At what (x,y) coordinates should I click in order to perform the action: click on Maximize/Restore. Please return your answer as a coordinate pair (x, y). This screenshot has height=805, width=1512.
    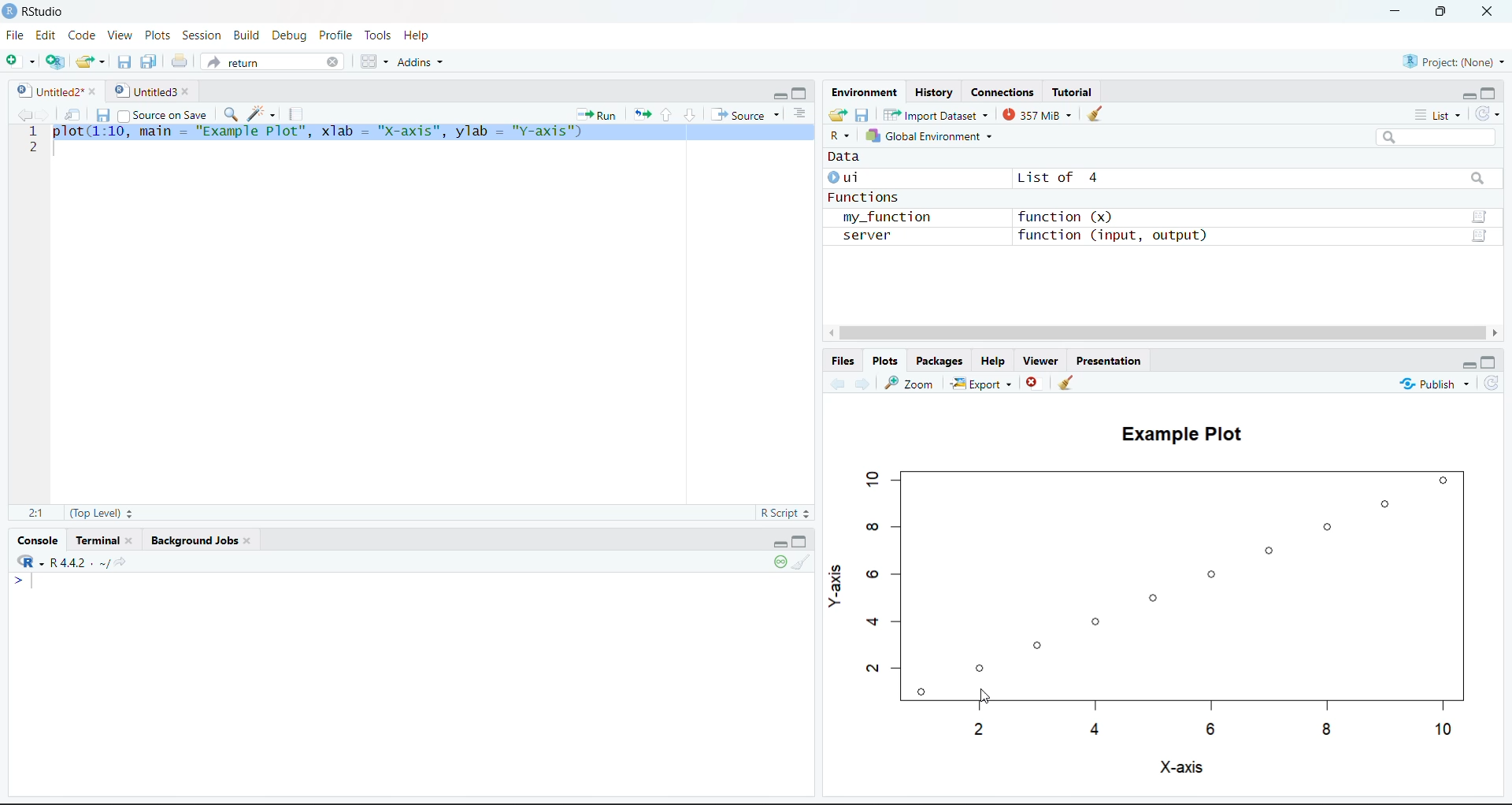
    Looking at the image, I should click on (802, 540).